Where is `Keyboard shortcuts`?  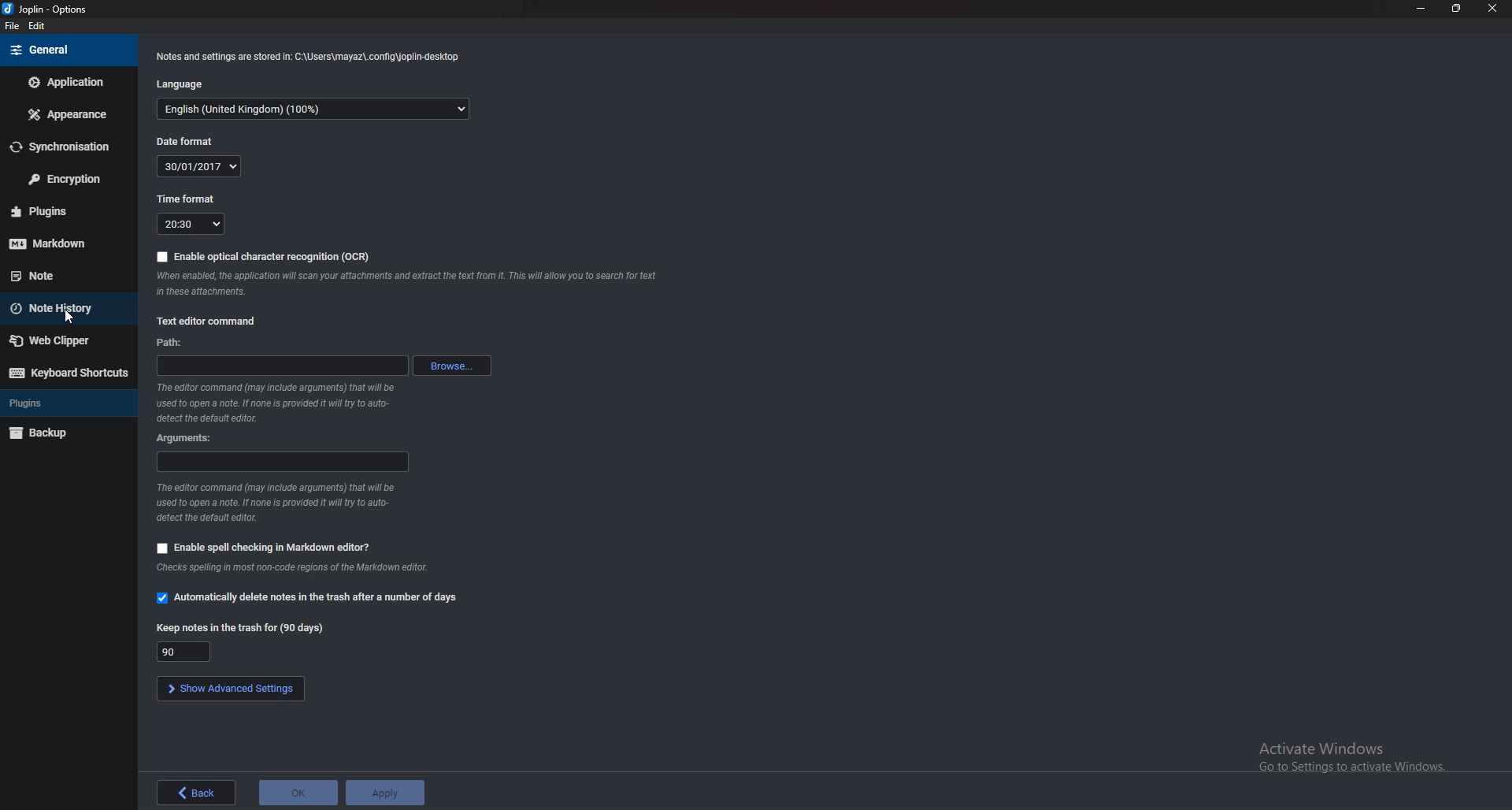
Keyboard shortcuts is located at coordinates (68, 373).